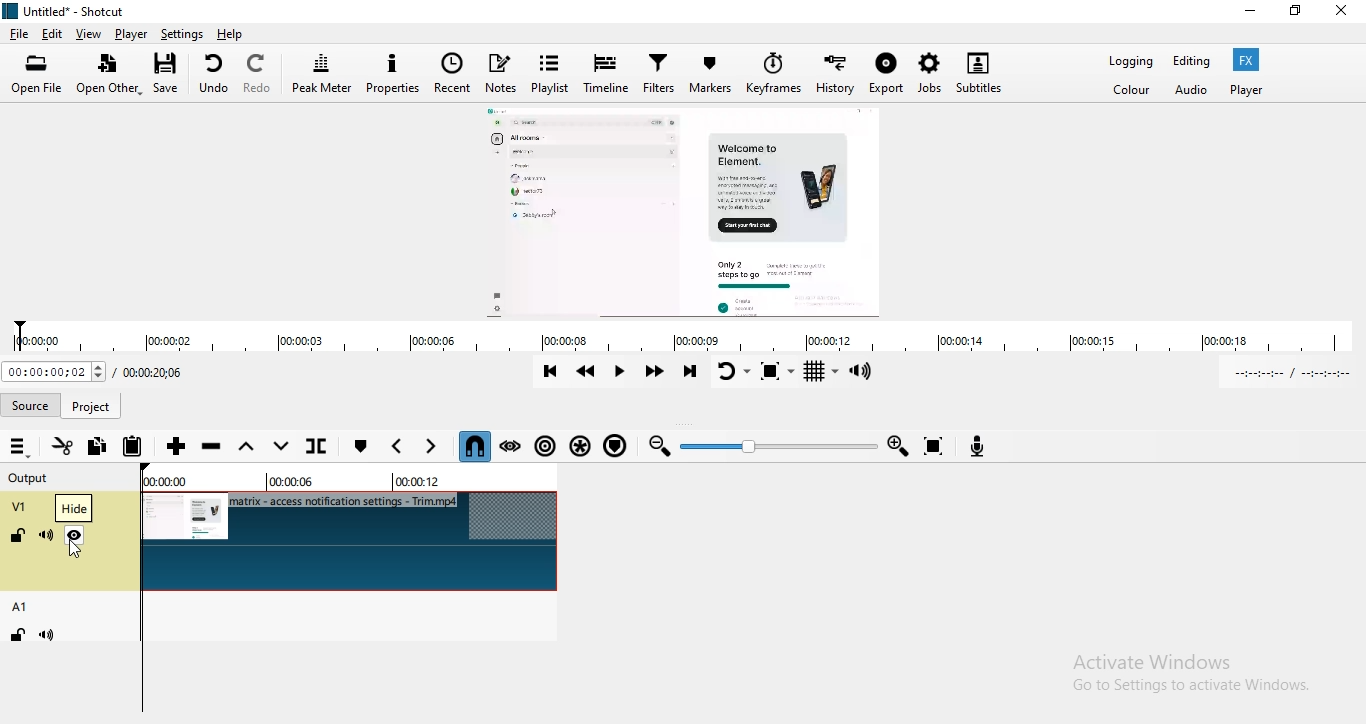  Describe the element at coordinates (868, 372) in the screenshot. I see `Show volume control` at that location.